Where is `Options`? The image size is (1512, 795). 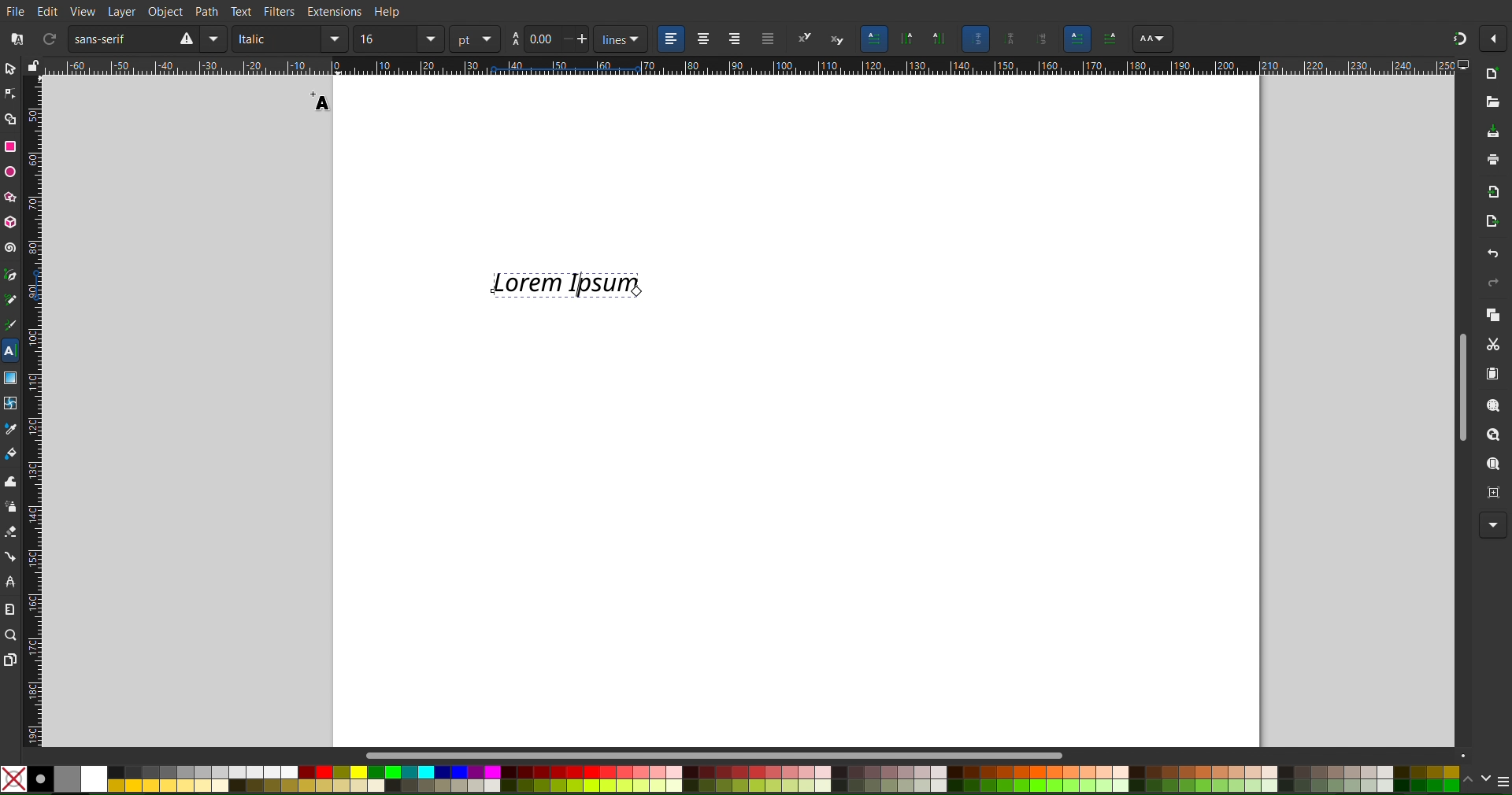 Options is located at coordinates (1495, 40).